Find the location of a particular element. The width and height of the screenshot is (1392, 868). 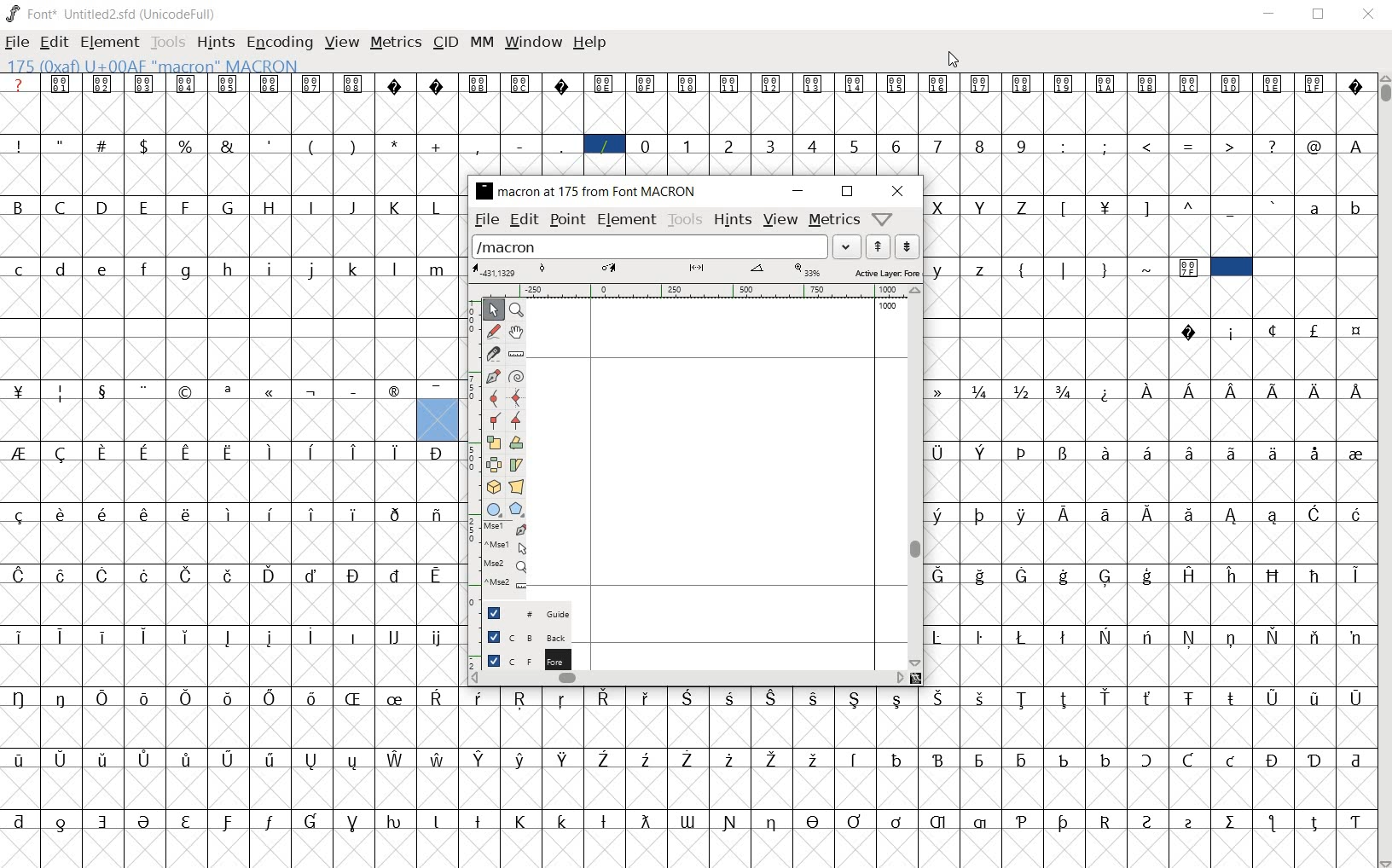

_ is located at coordinates (1232, 208).